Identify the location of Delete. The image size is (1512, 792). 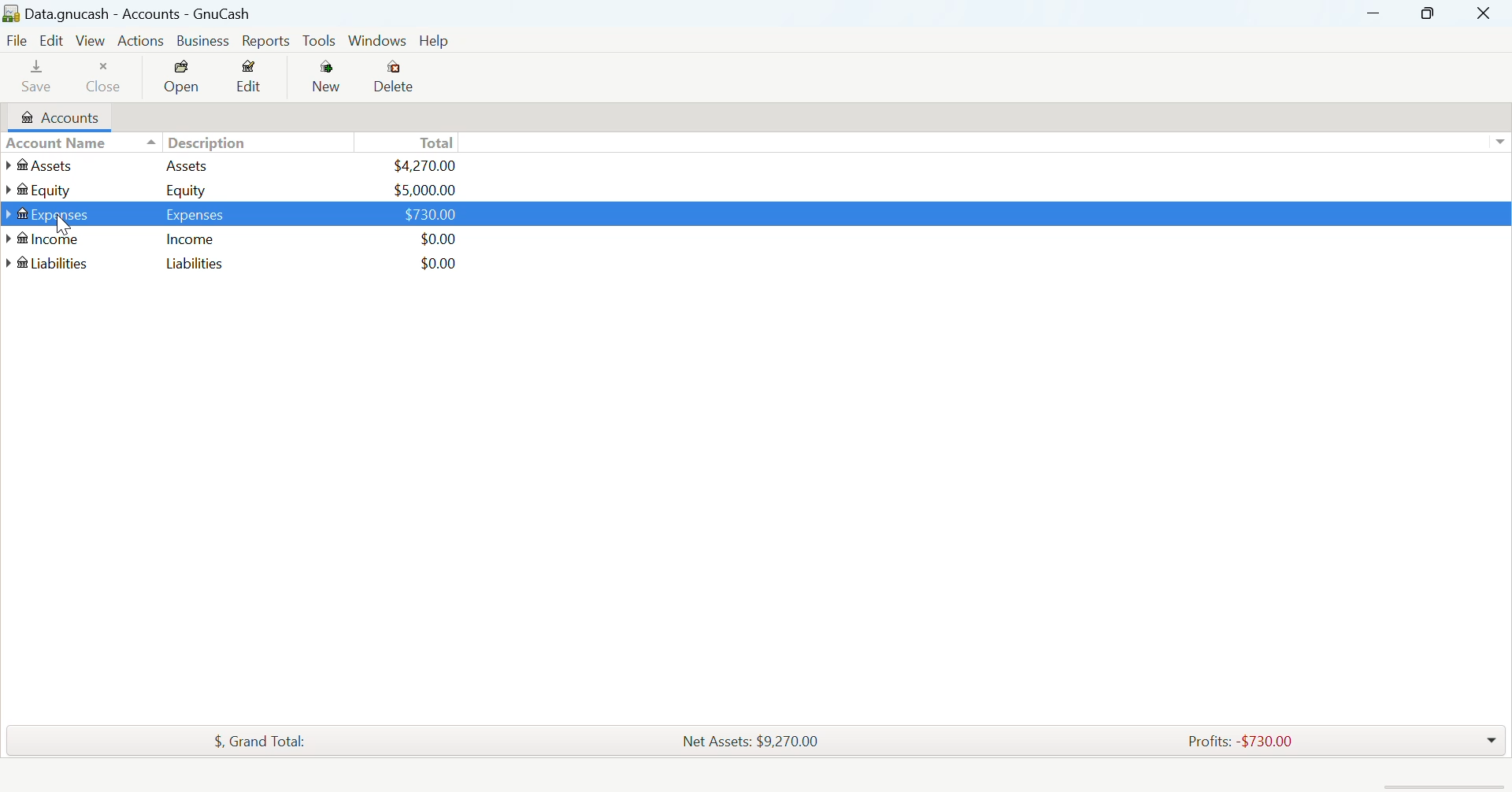
(395, 78).